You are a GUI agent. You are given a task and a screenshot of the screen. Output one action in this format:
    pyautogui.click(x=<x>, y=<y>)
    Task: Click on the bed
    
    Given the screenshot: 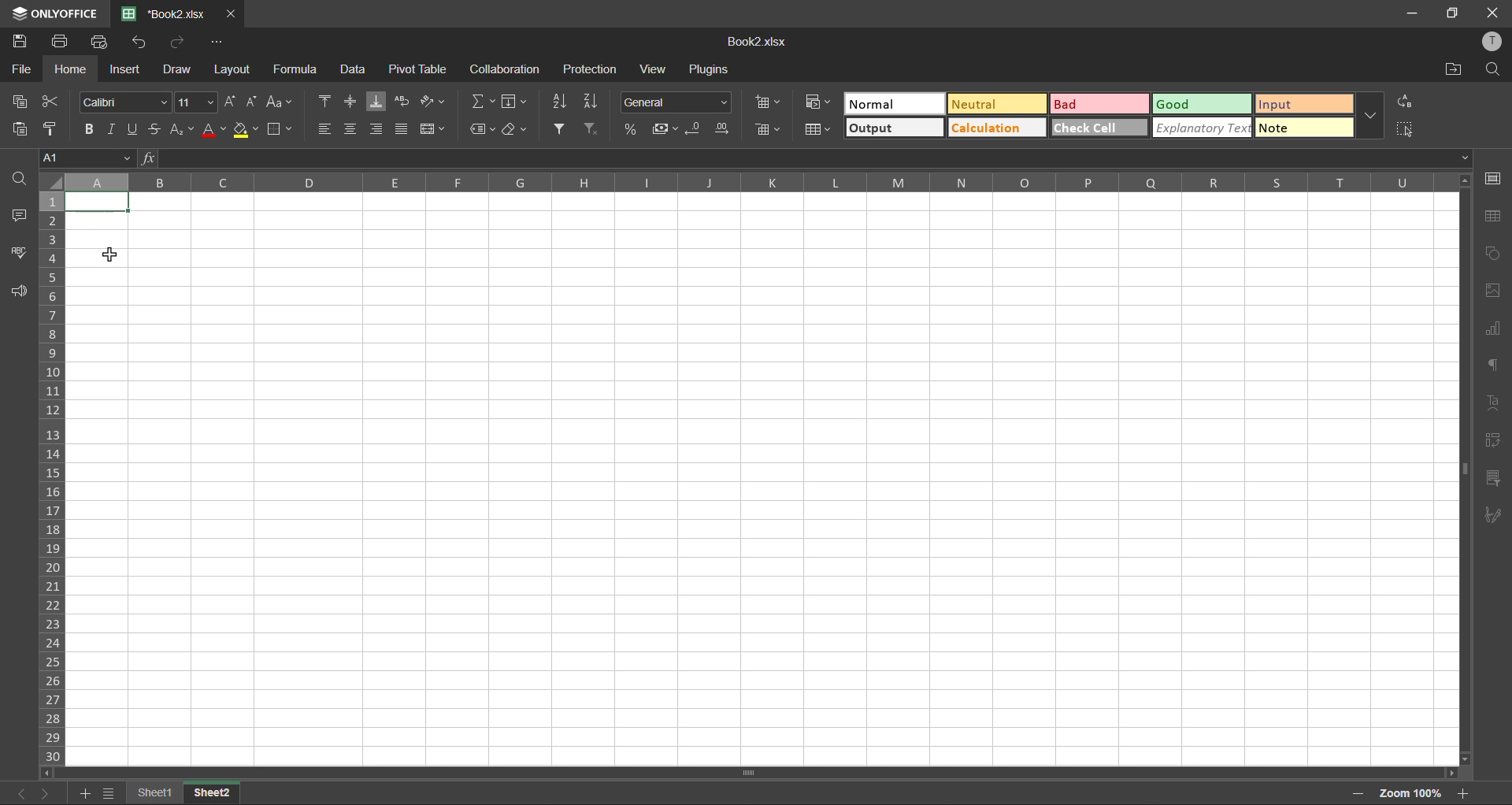 What is the action you would take?
    pyautogui.click(x=1098, y=106)
    